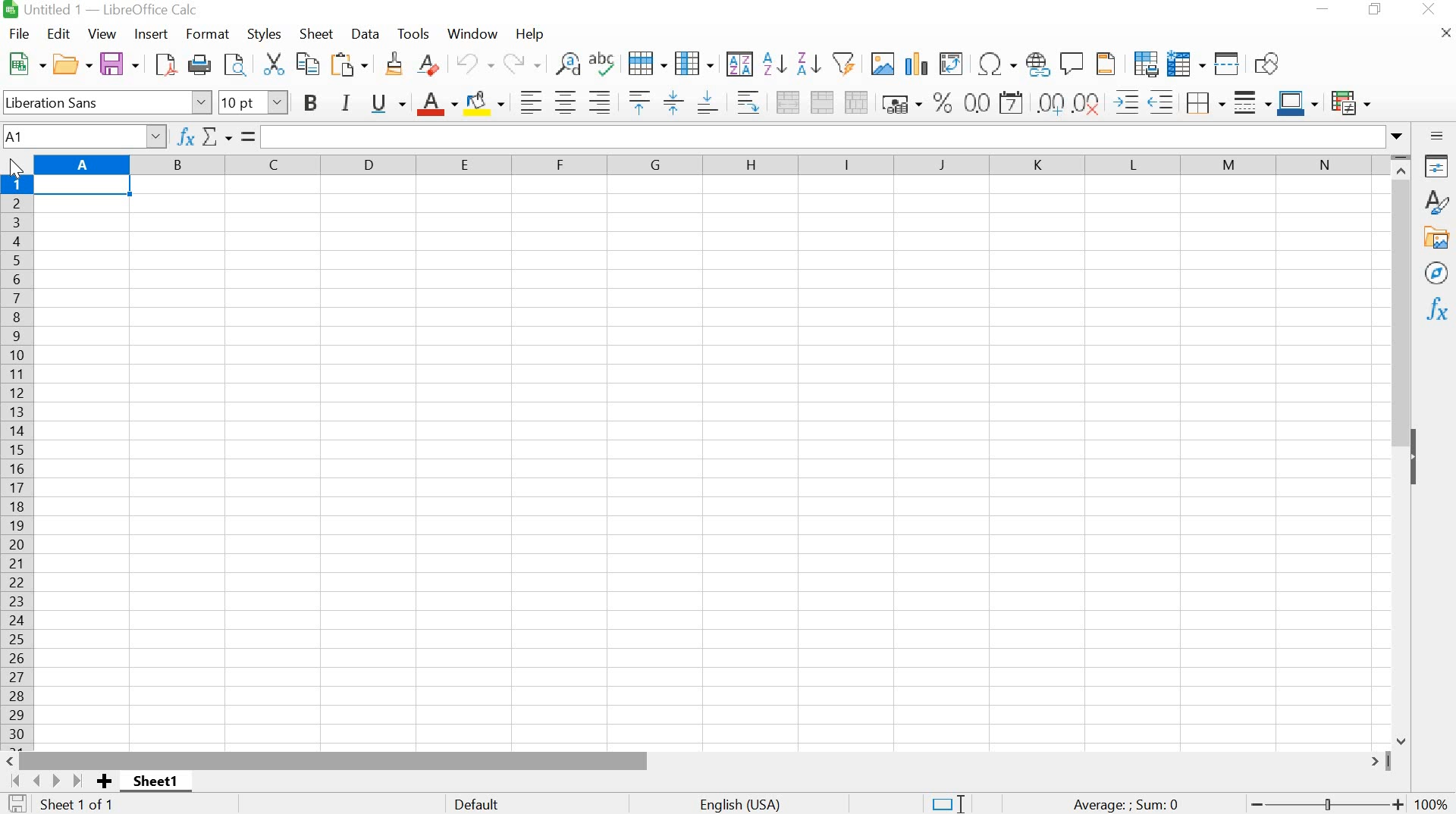 The width and height of the screenshot is (1456, 814). Describe the element at coordinates (483, 803) in the screenshot. I see `DEFAULT` at that location.